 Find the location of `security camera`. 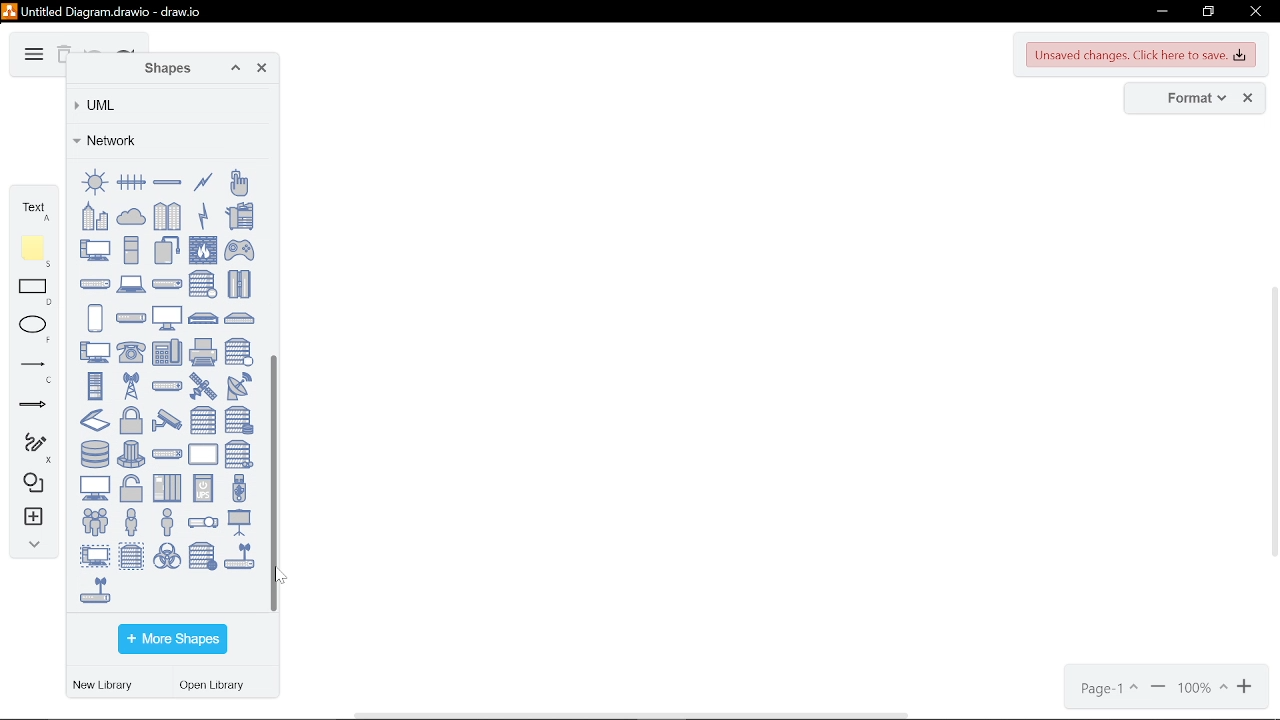

security camera is located at coordinates (167, 420).